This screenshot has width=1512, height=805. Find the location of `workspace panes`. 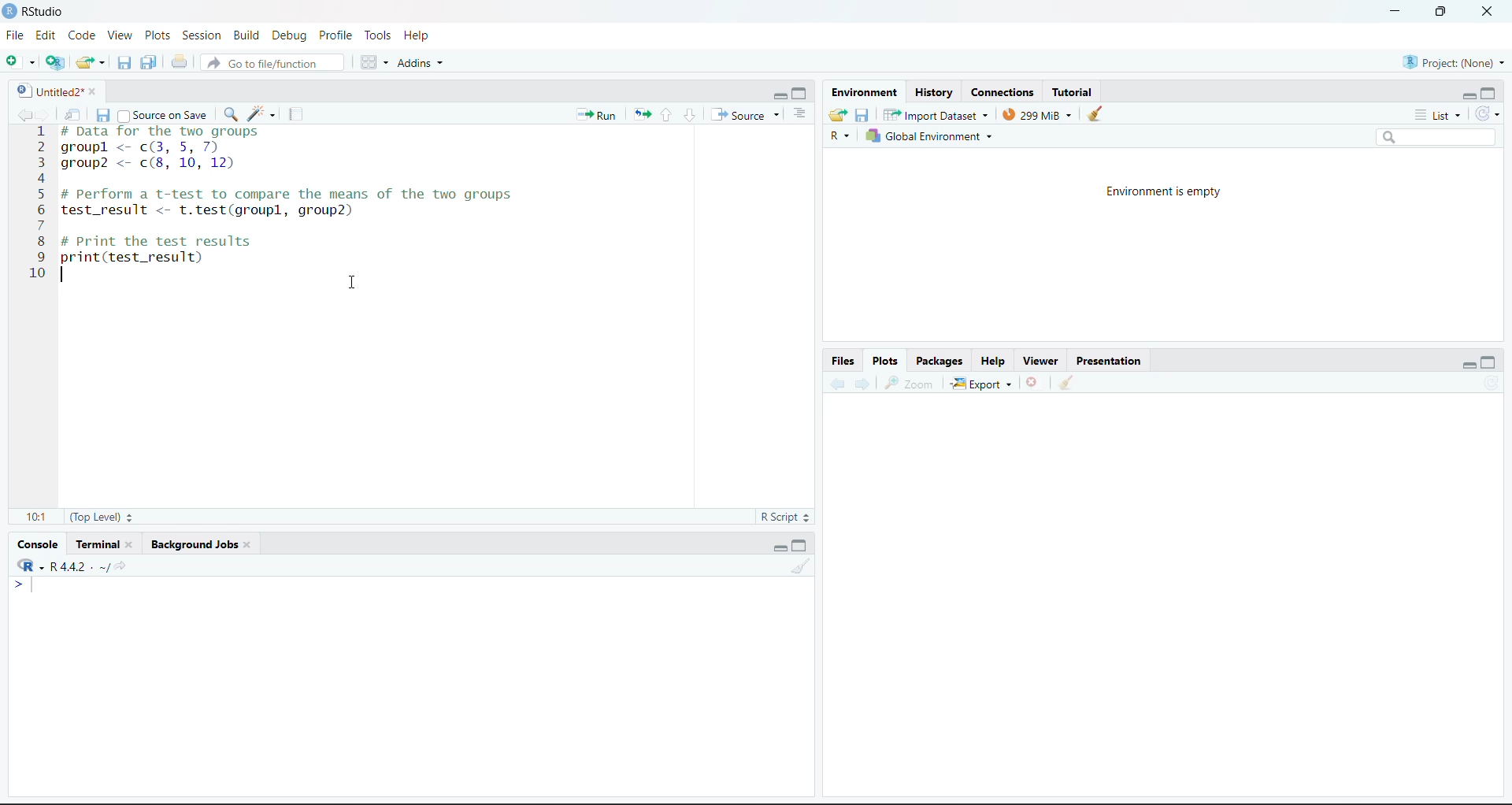

workspace panes is located at coordinates (372, 61).